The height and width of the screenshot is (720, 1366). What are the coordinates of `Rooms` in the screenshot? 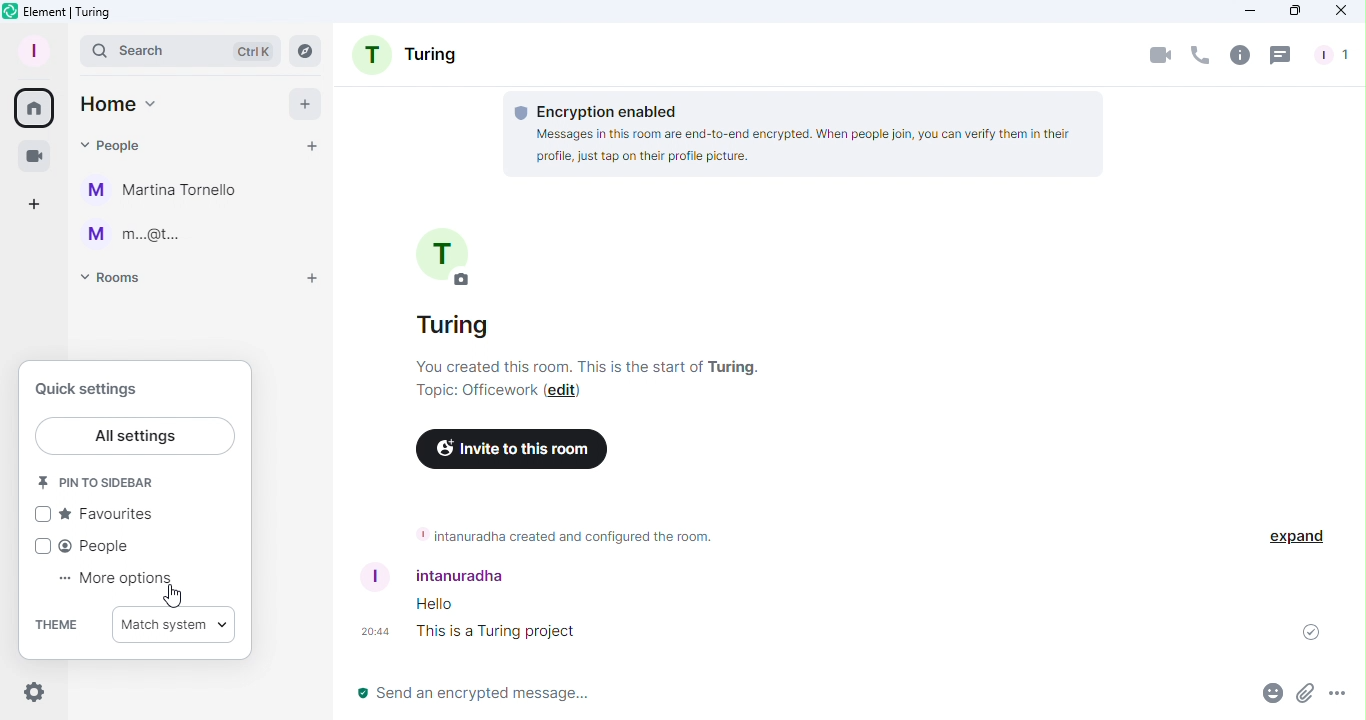 It's located at (120, 283).